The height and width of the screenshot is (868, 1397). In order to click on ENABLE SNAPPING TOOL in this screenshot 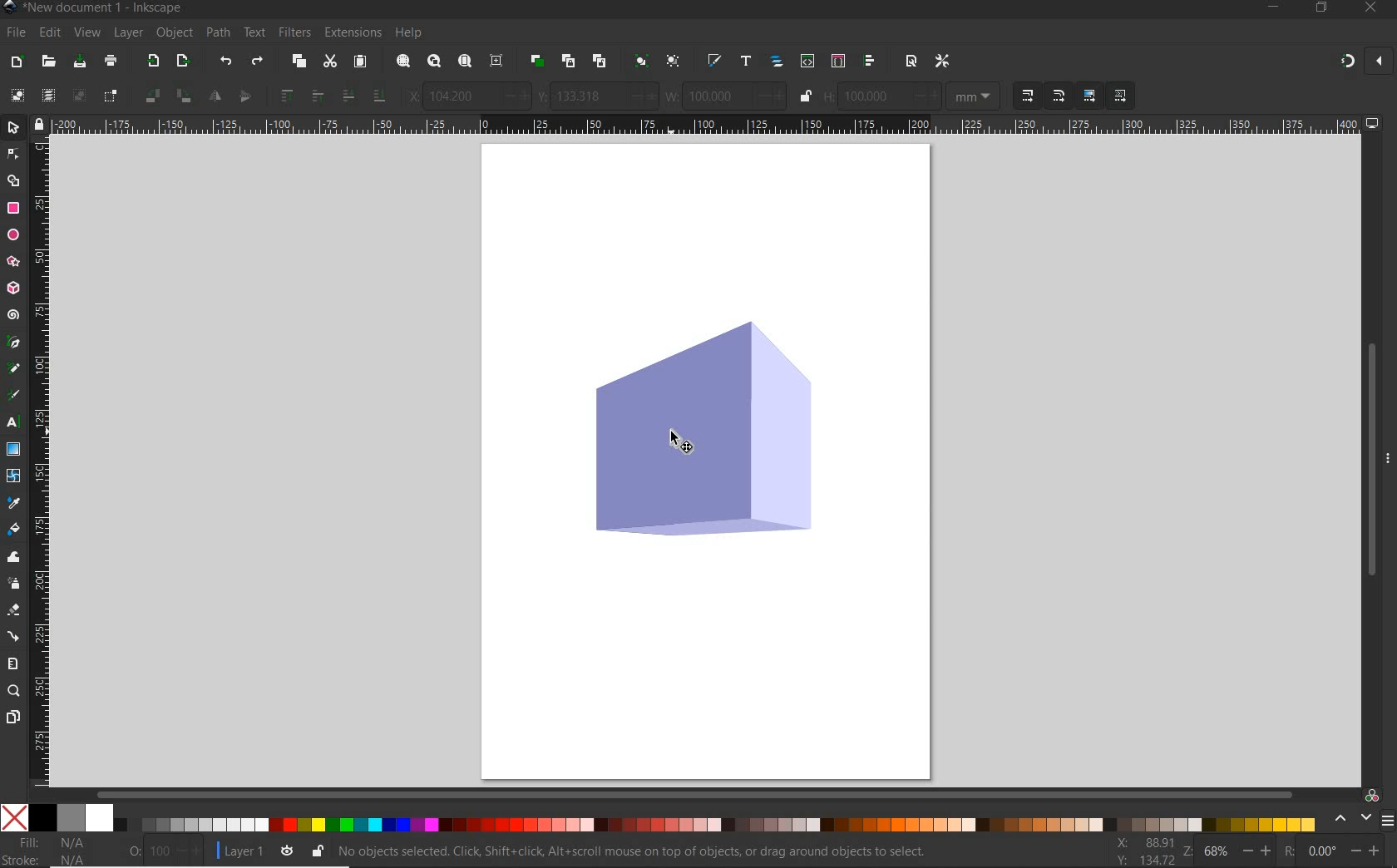, I will do `click(1344, 61)`.